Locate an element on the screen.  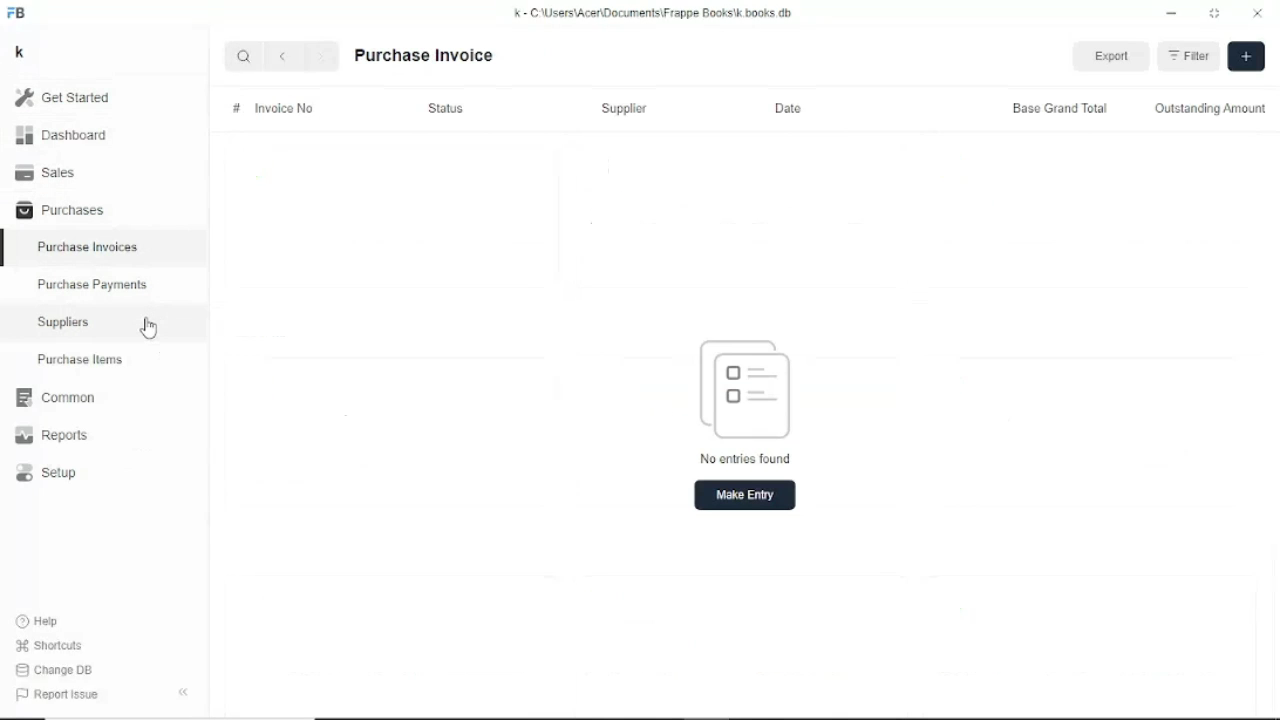
Sales is located at coordinates (48, 173).